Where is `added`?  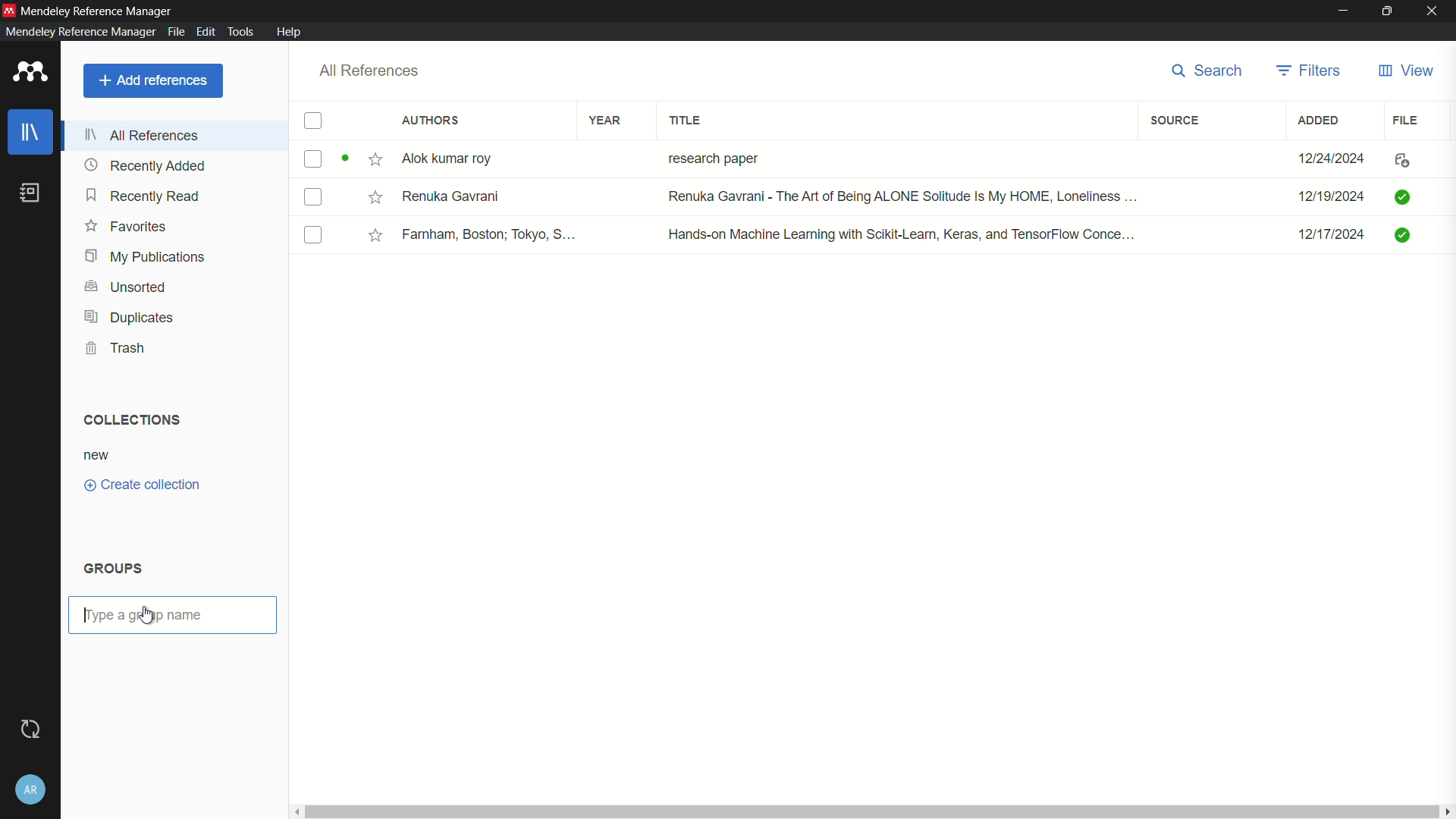
added is located at coordinates (1319, 120).